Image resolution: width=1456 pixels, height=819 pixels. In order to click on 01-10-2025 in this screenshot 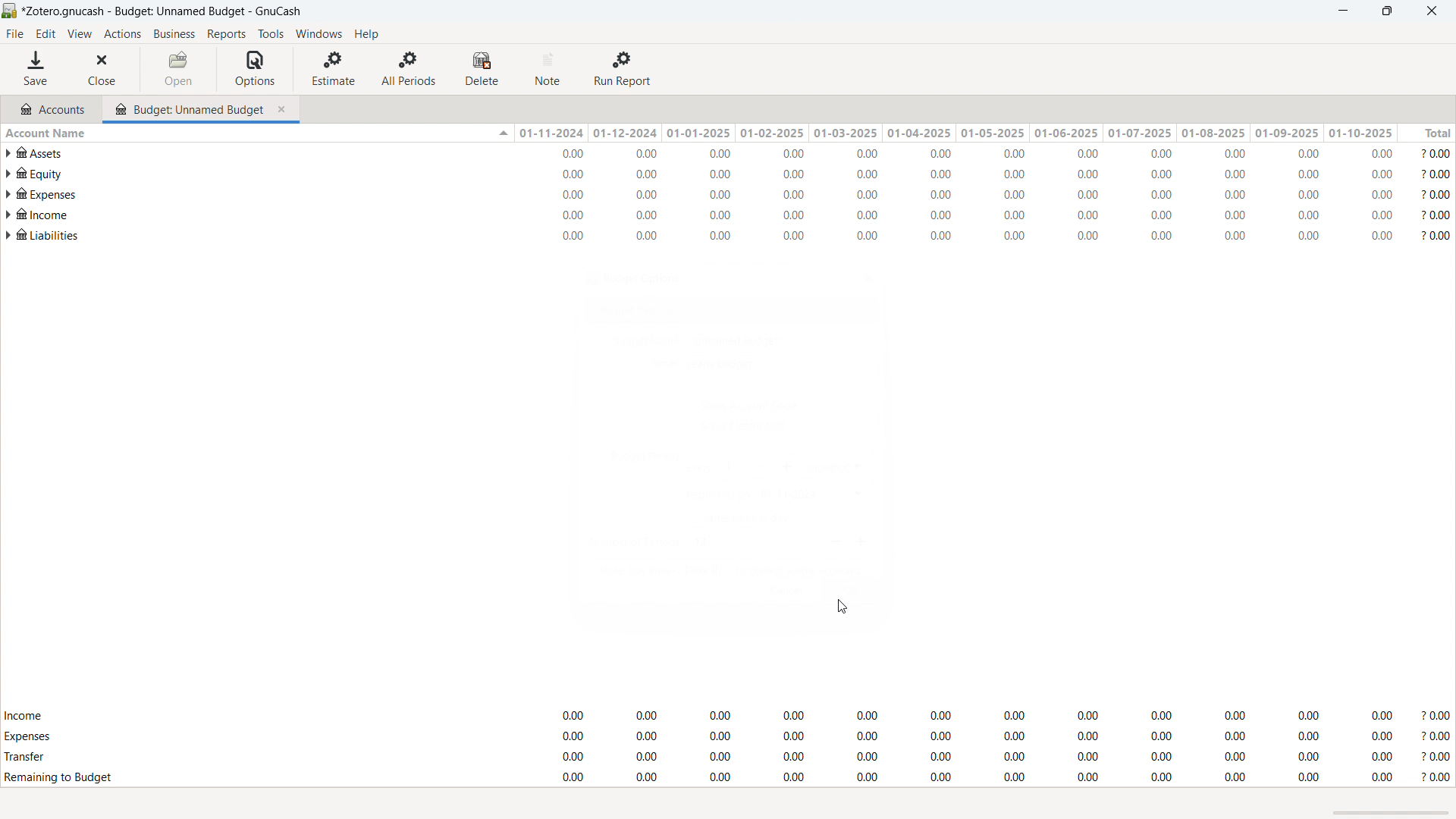, I will do `click(1360, 133)`.